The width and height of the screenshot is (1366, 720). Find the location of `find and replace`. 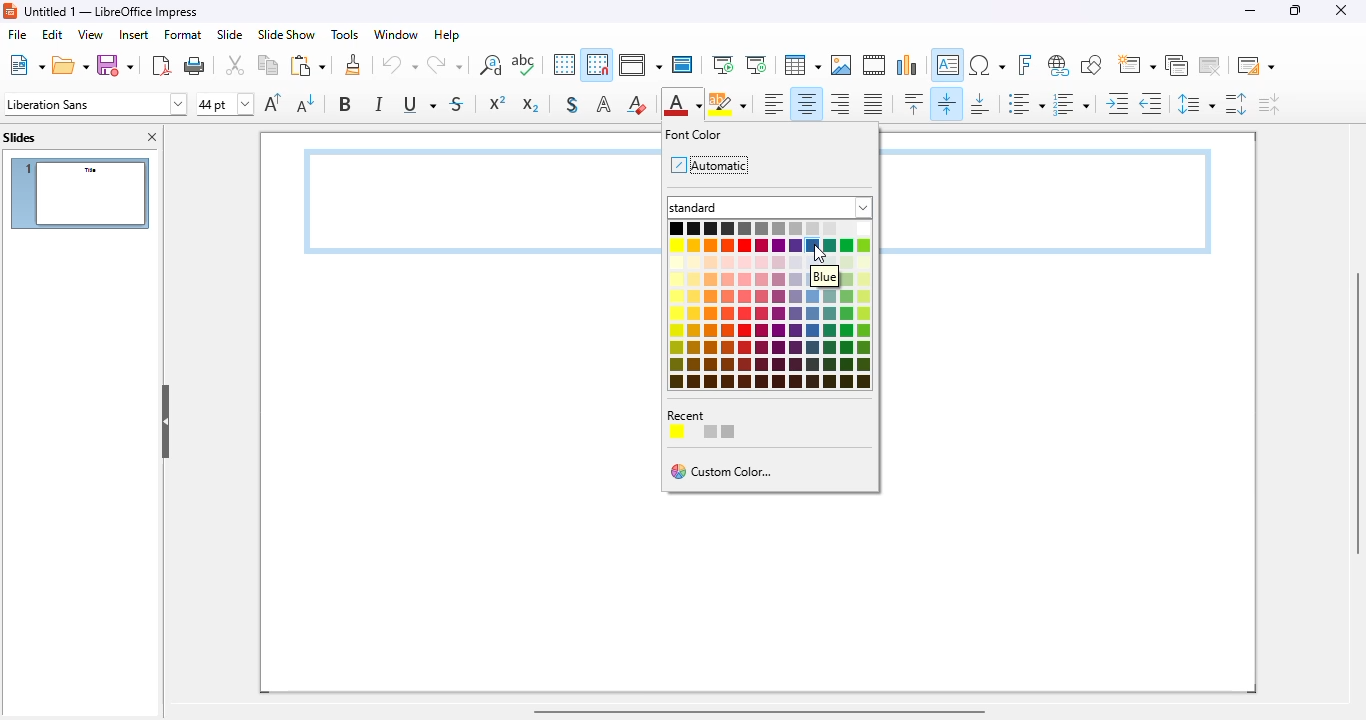

find and replace is located at coordinates (491, 65).